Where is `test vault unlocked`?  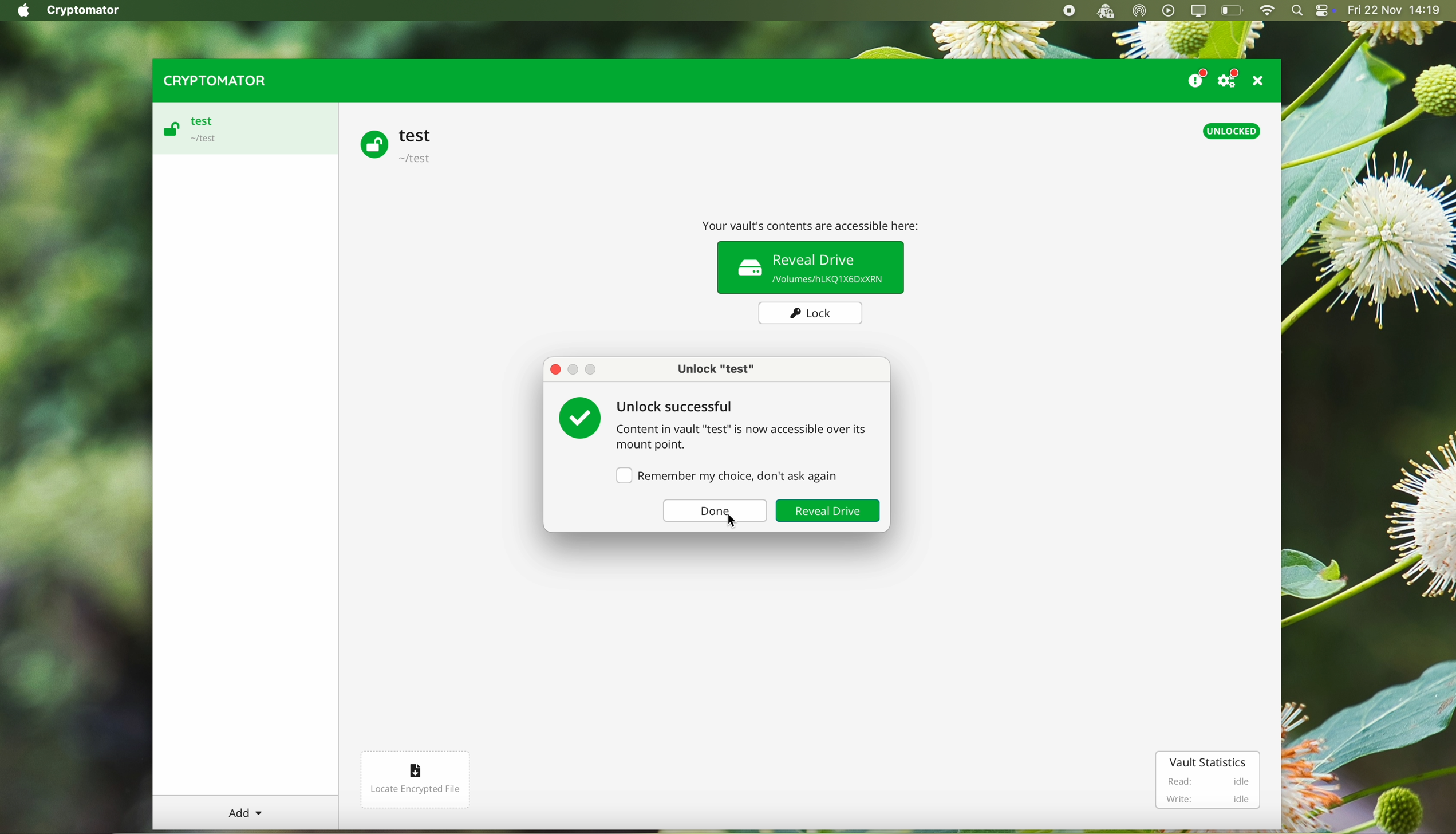
test vault unlocked is located at coordinates (244, 128).